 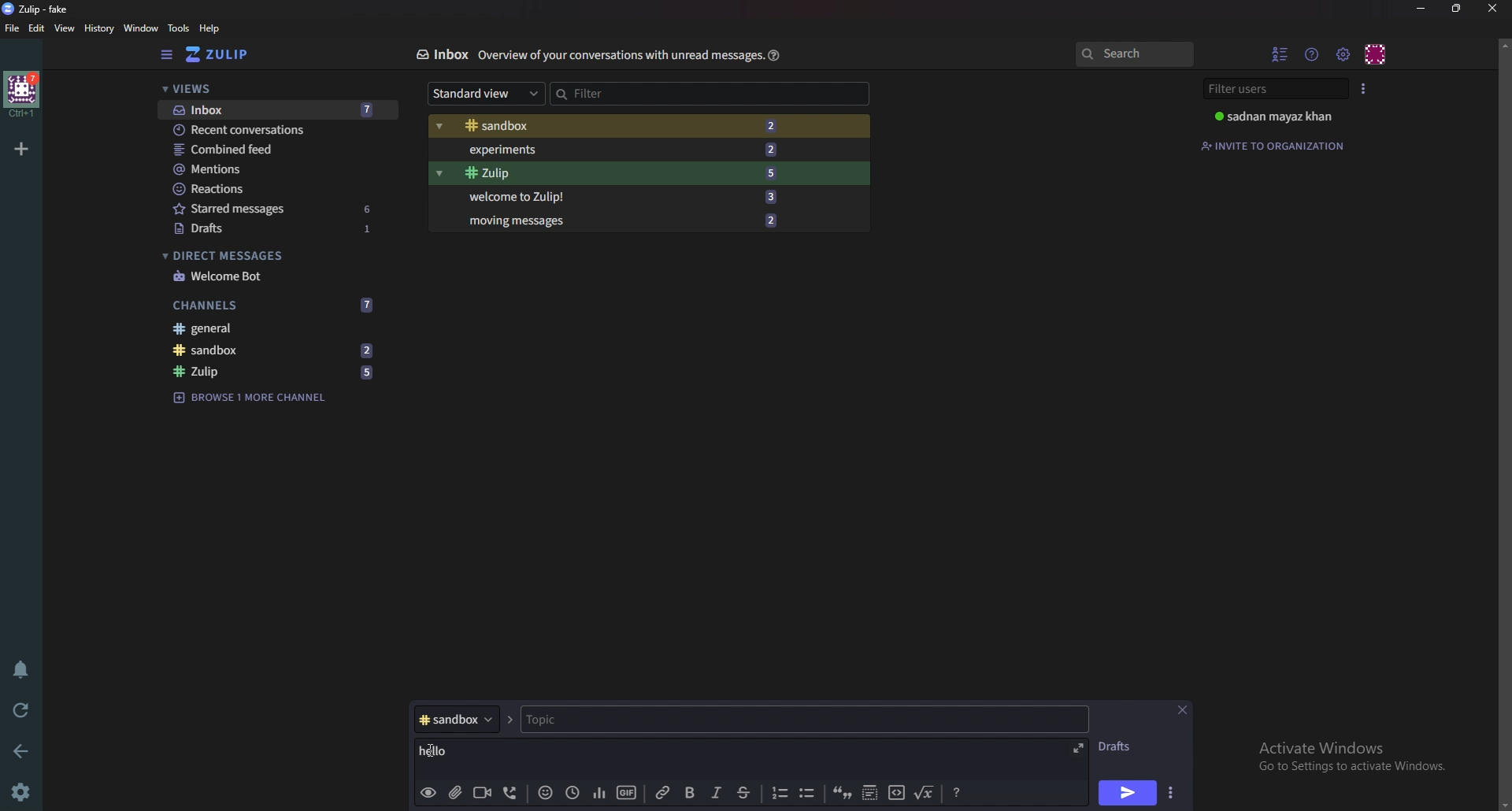 I want to click on video call, so click(x=482, y=793).